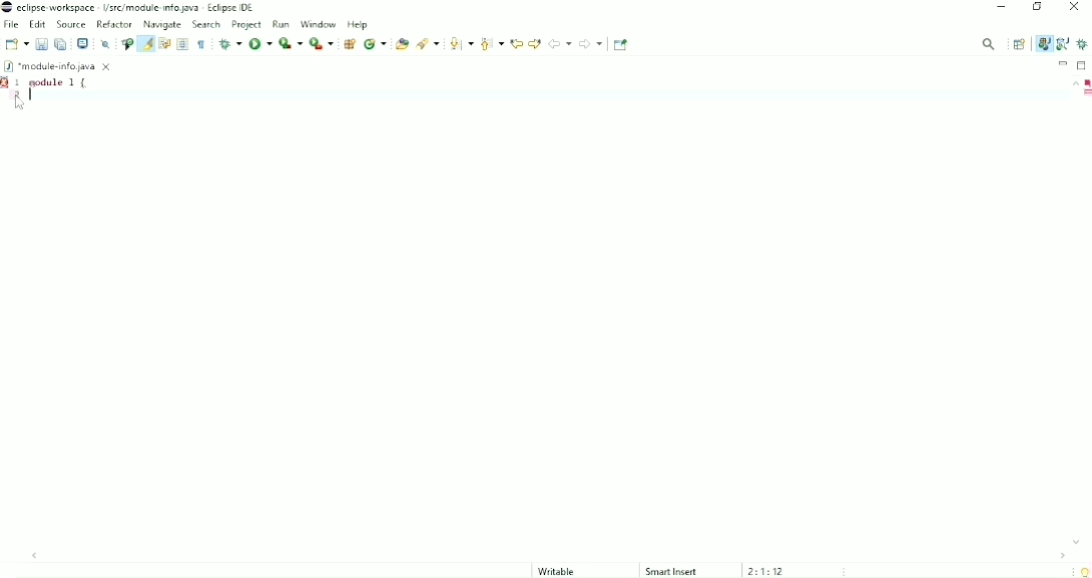  Describe the element at coordinates (103, 44) in the screenshot. I see `Skip All Breakpoints` at that location.